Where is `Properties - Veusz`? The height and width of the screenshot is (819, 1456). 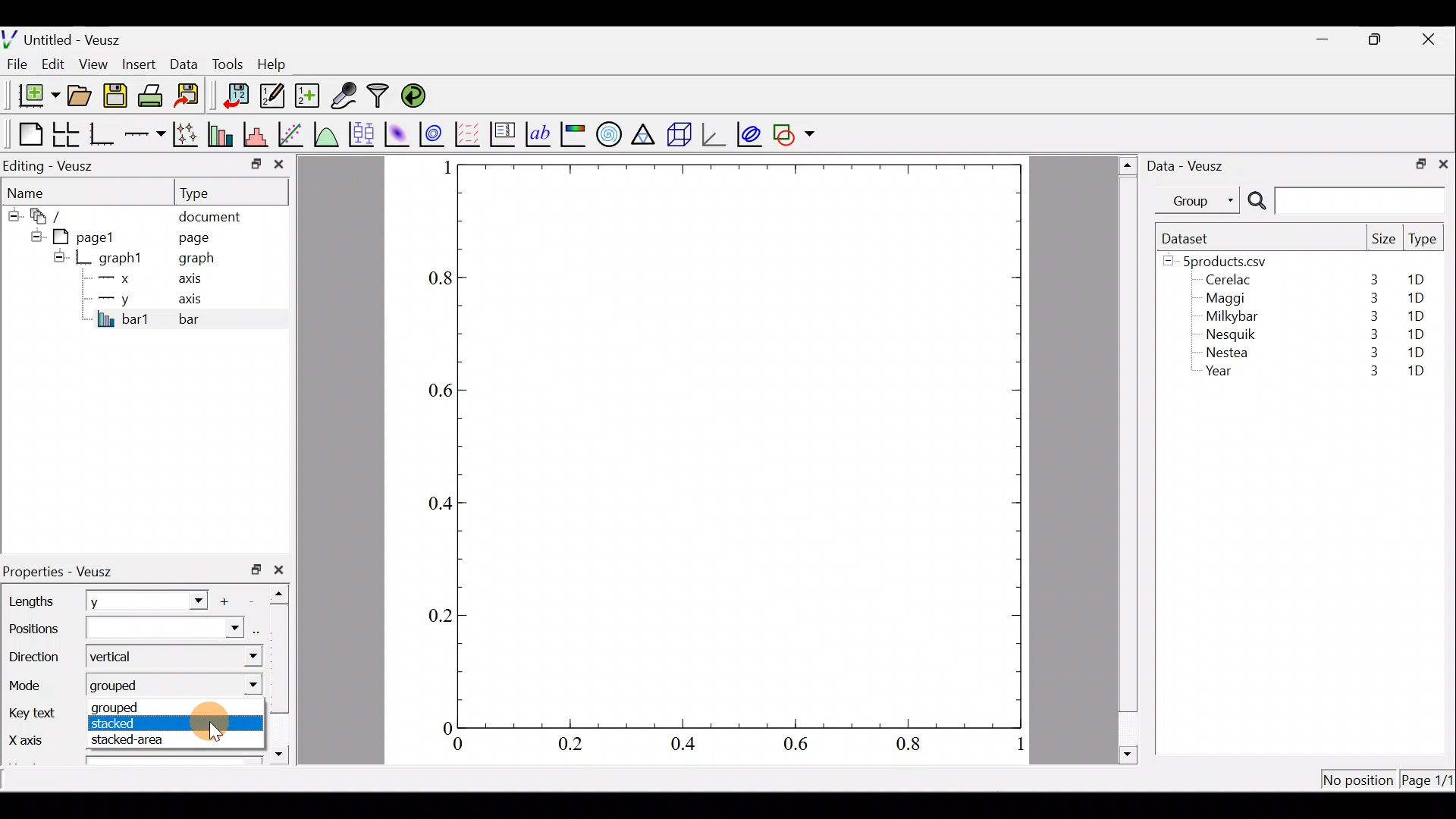
Properties - Veusz is located at coordinates (64, 572).